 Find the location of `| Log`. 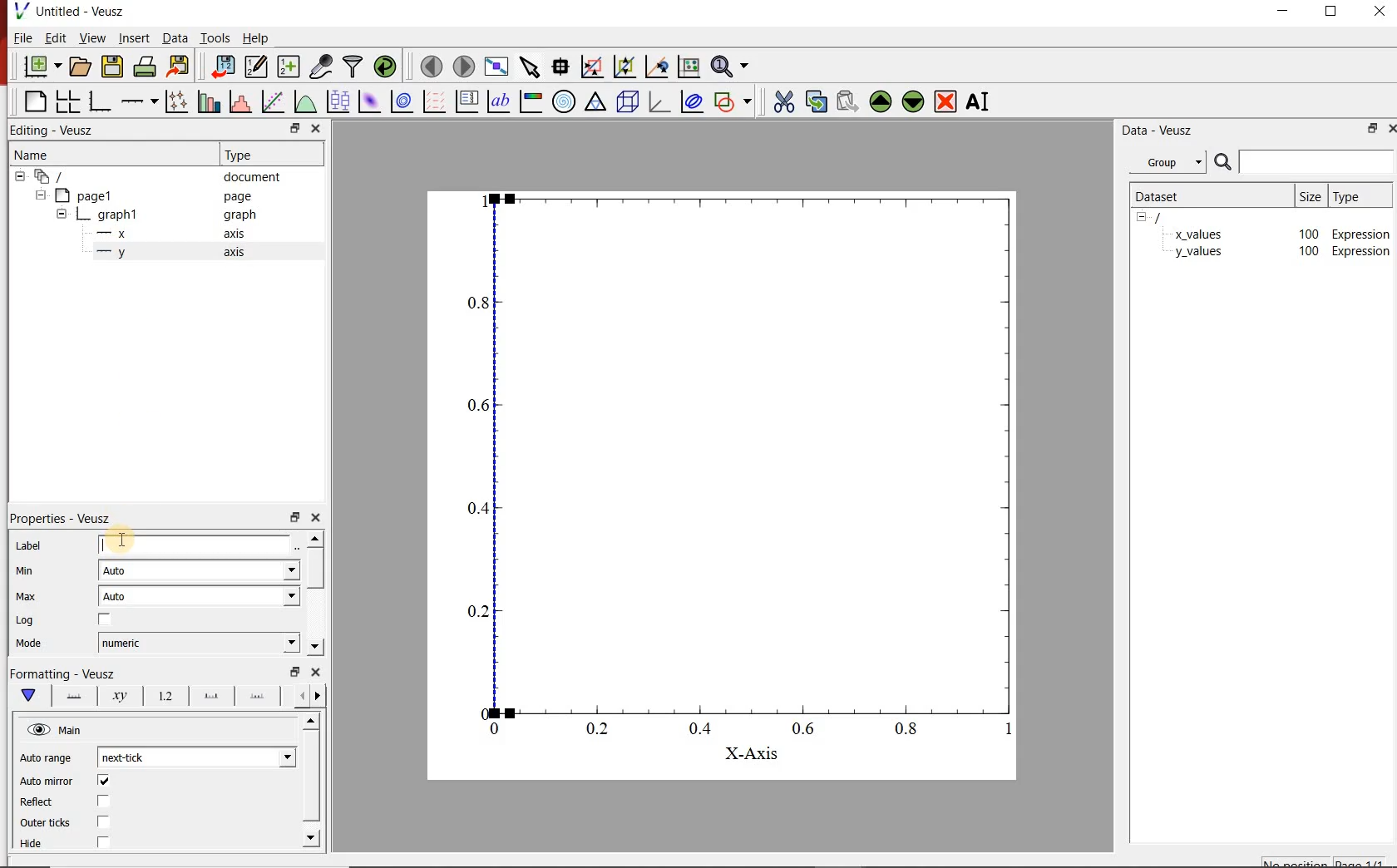

| Log is located at coordinates (27, 621).